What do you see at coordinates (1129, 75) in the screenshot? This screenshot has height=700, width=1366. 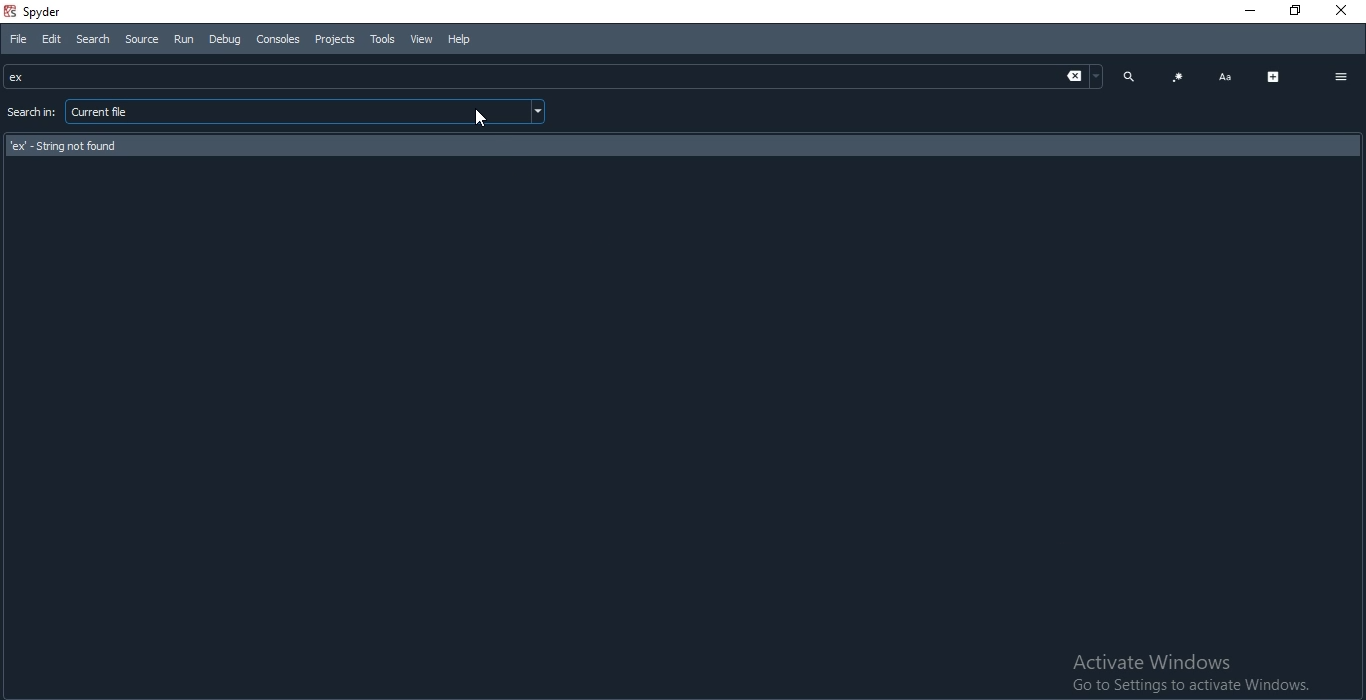 I see `search` at bounding box center [1129, 75].